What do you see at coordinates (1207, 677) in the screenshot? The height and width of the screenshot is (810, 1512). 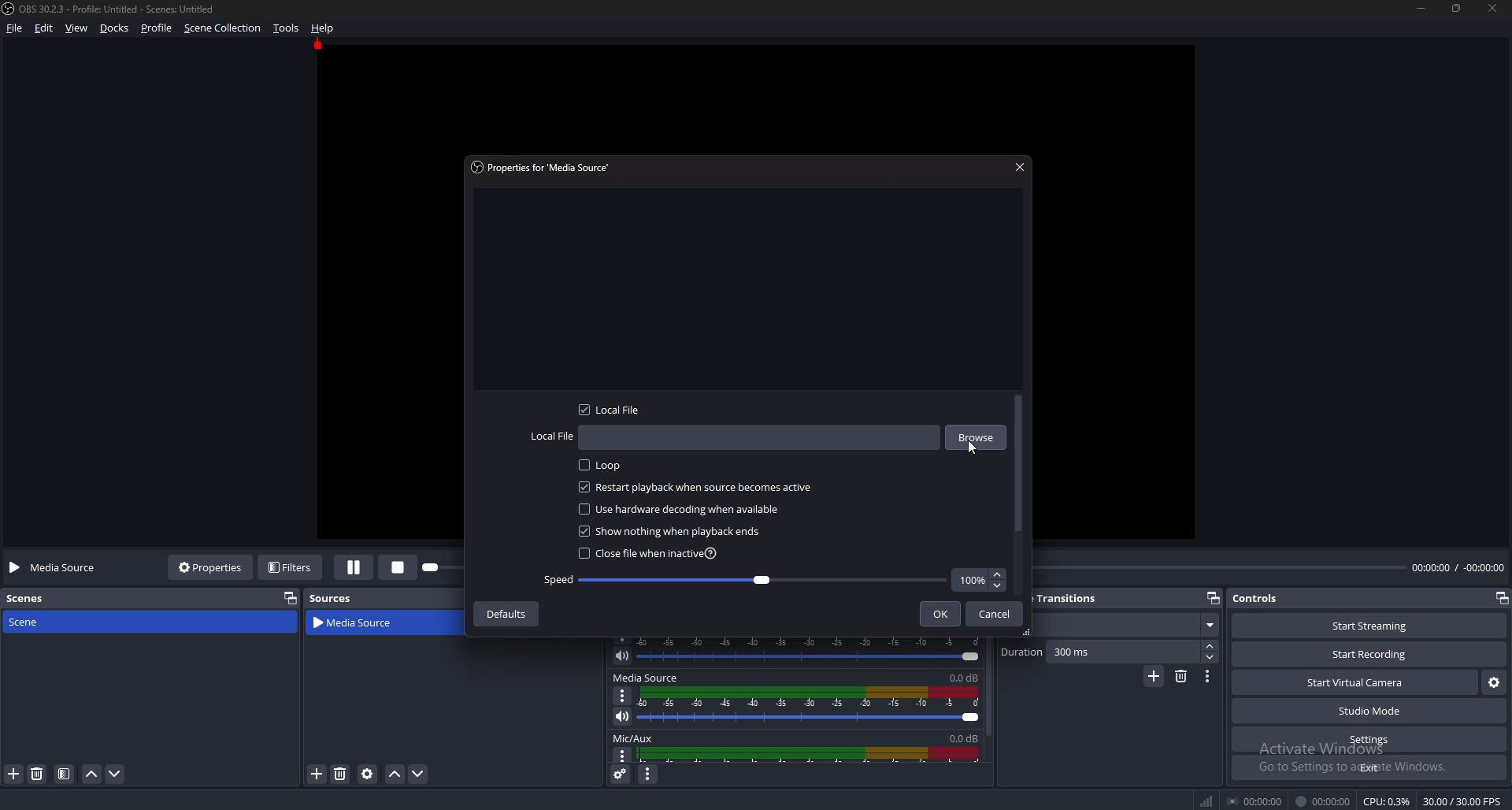 I see `Transition properties` at bounding box center [1207, 677].